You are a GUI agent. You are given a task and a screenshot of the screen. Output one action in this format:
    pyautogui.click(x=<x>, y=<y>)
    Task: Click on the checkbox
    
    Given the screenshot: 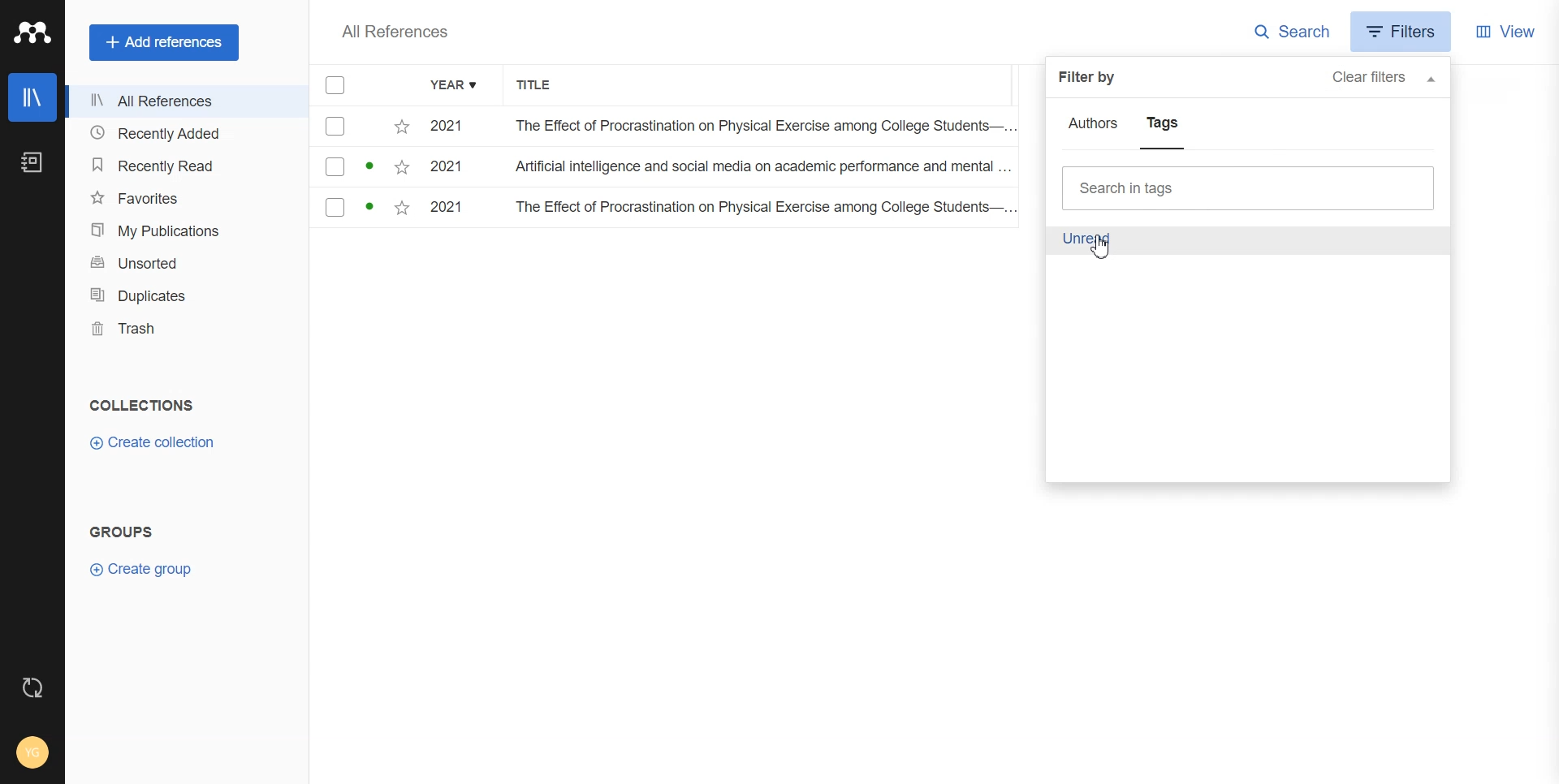 What is the action you would take?
    pyautogui.click(x=363, y=127)
    